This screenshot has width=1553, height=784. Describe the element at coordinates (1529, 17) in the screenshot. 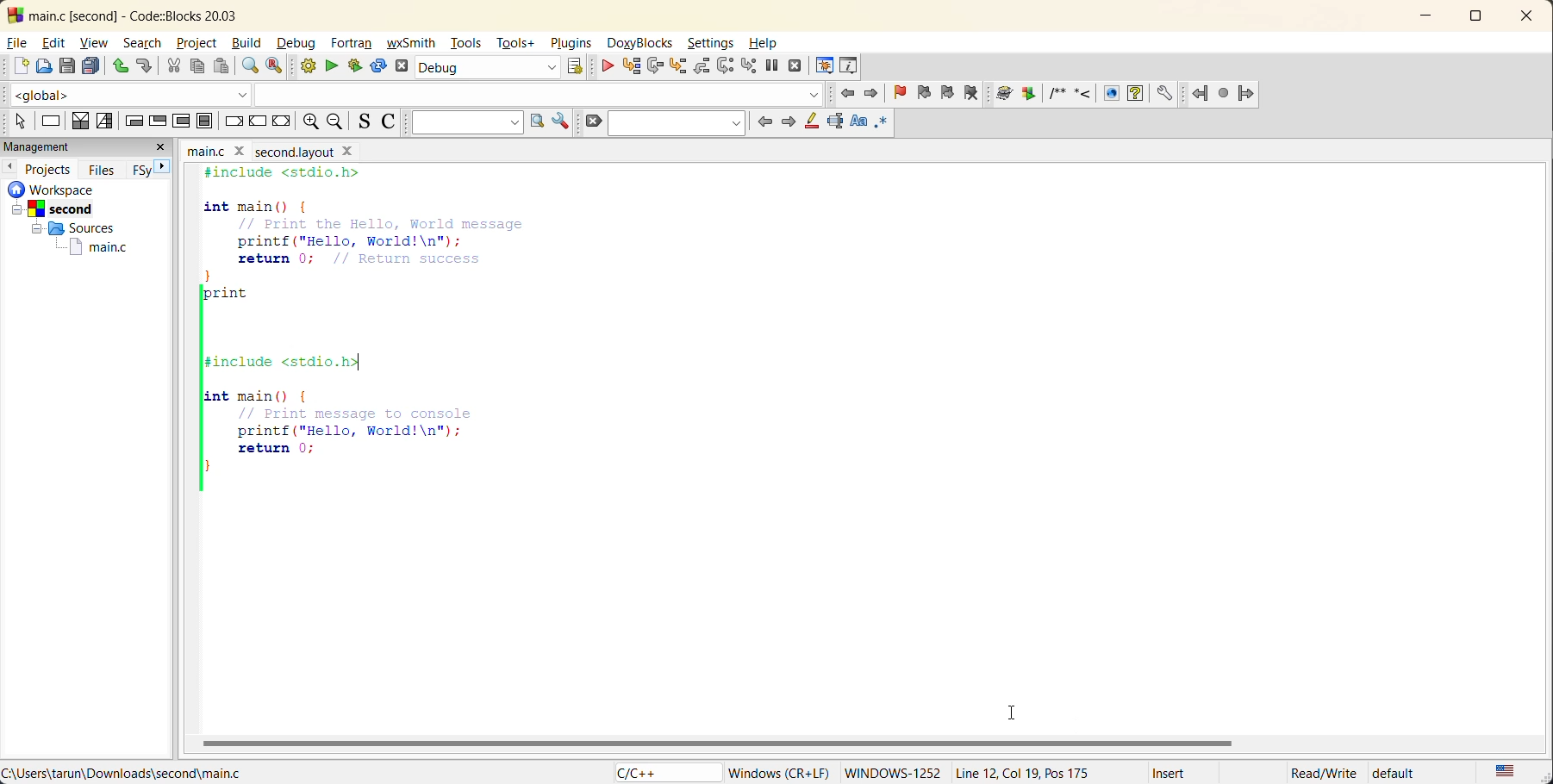

I see `close` at that location.